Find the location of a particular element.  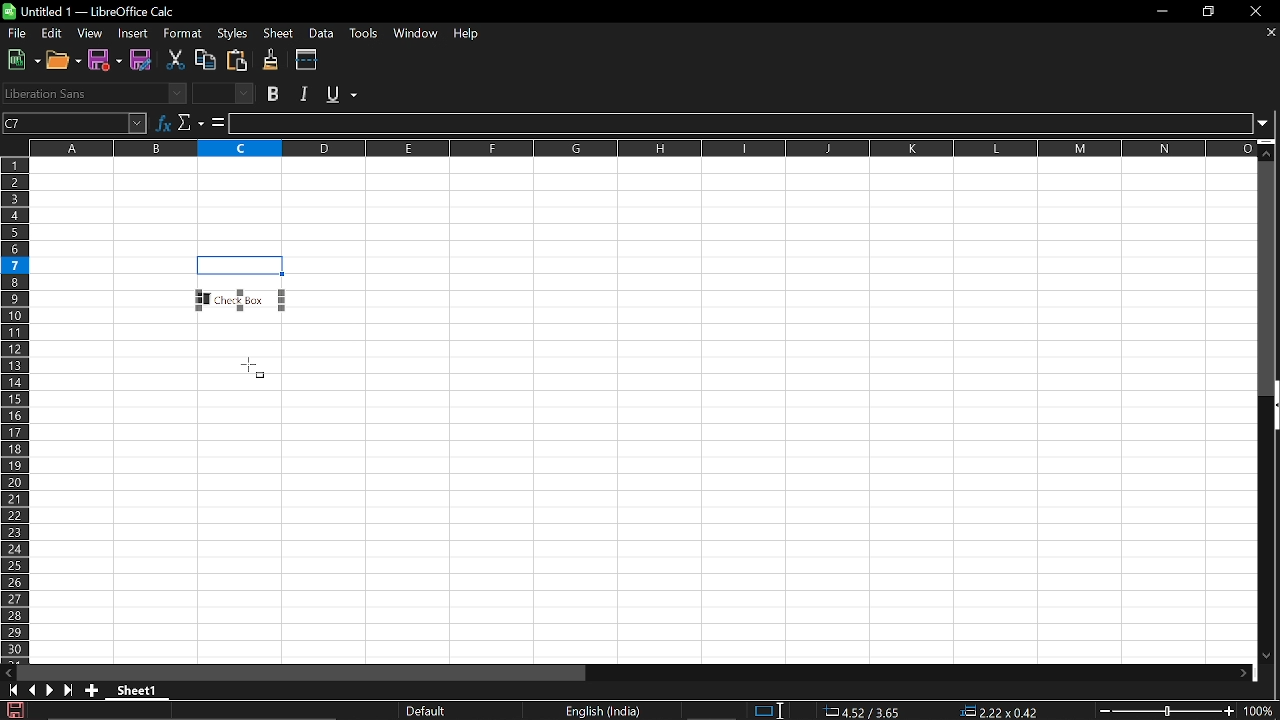

Copy is located at coordinates (205, 60).